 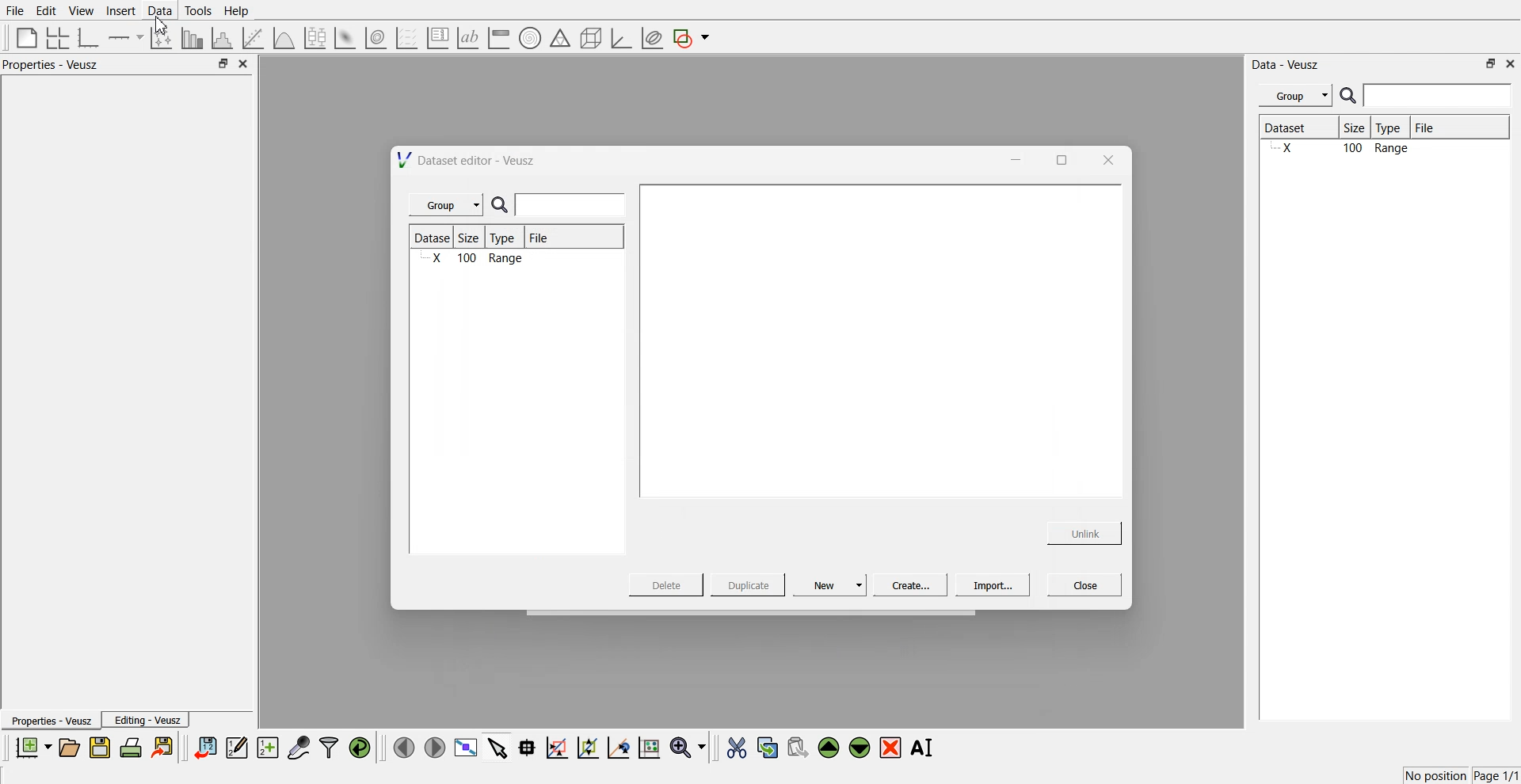 I want to click on Duplicate, so click(x=748, y=586).